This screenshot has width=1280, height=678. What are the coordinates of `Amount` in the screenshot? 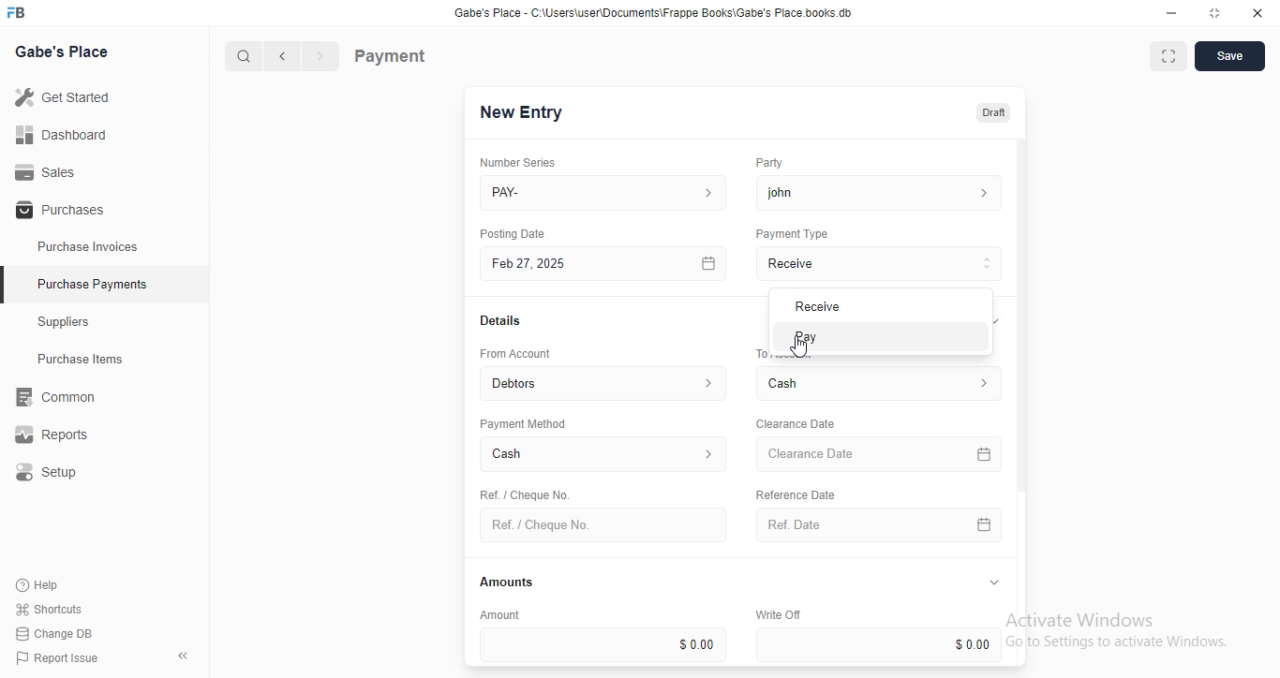 It's located at (497, 614).